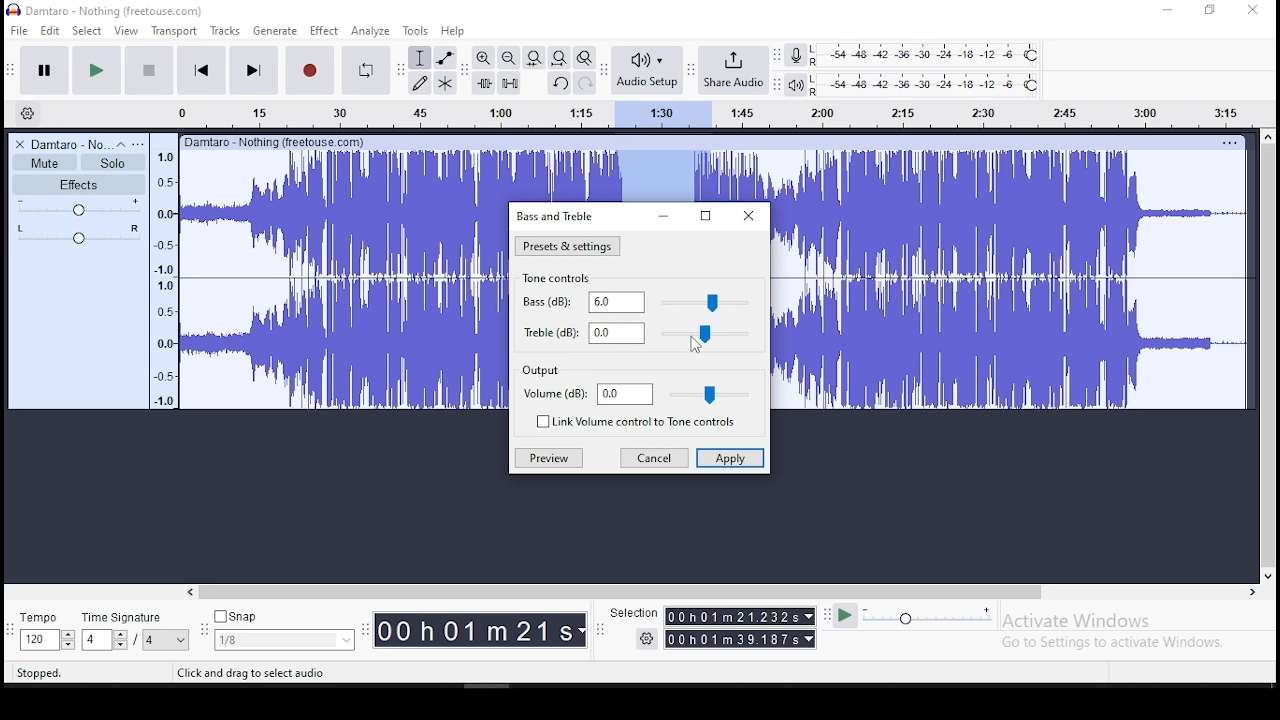 The height and width of the screenshot is (720, 1280). Describe the element at coordinates (164, 279) in the screenshot. I see `` at that location.